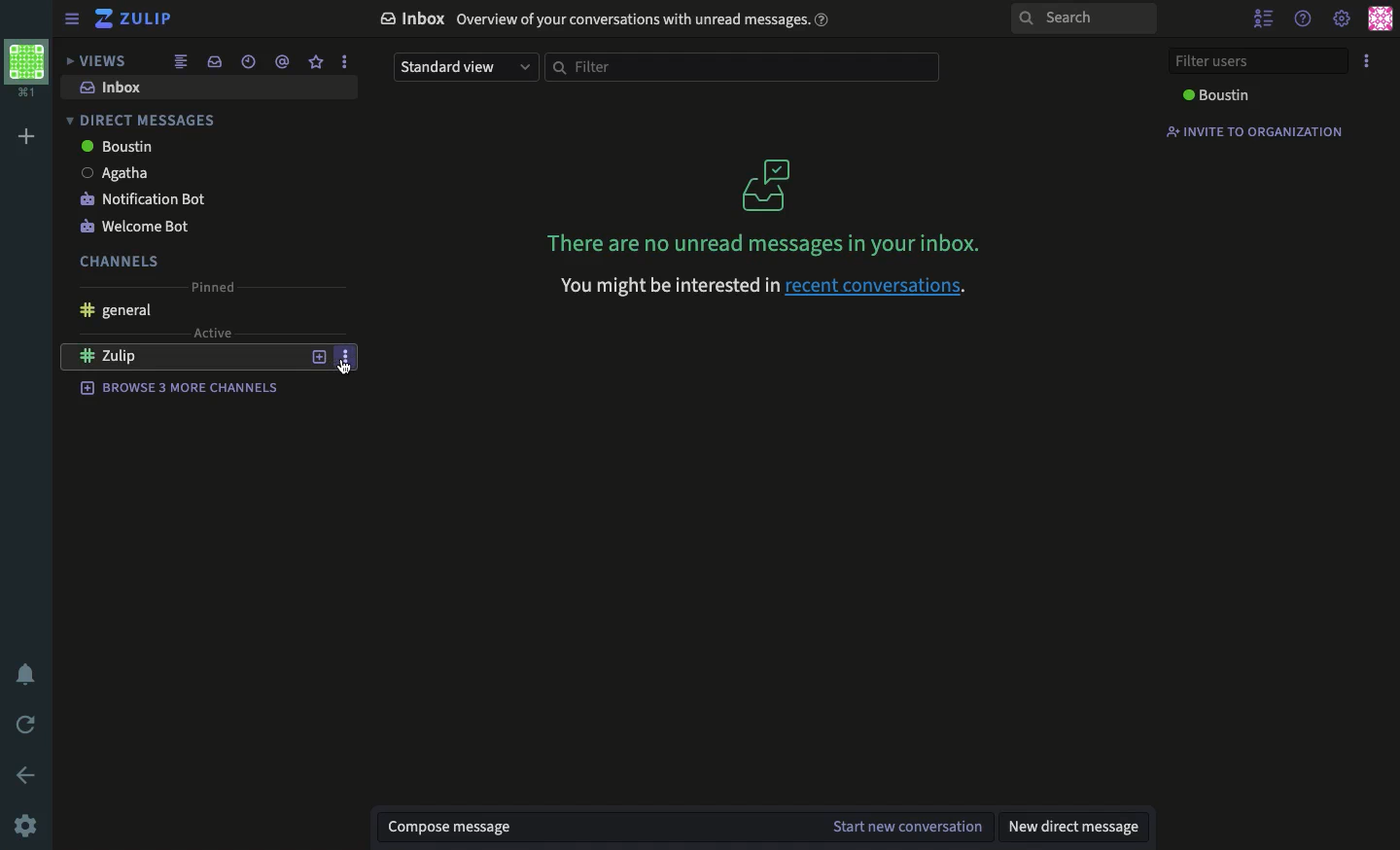 The height and width of the screenshot is (850, 1400). Describe the element at coordinates (1074, 826) in the screenshot. I see `new direct message` at that location.